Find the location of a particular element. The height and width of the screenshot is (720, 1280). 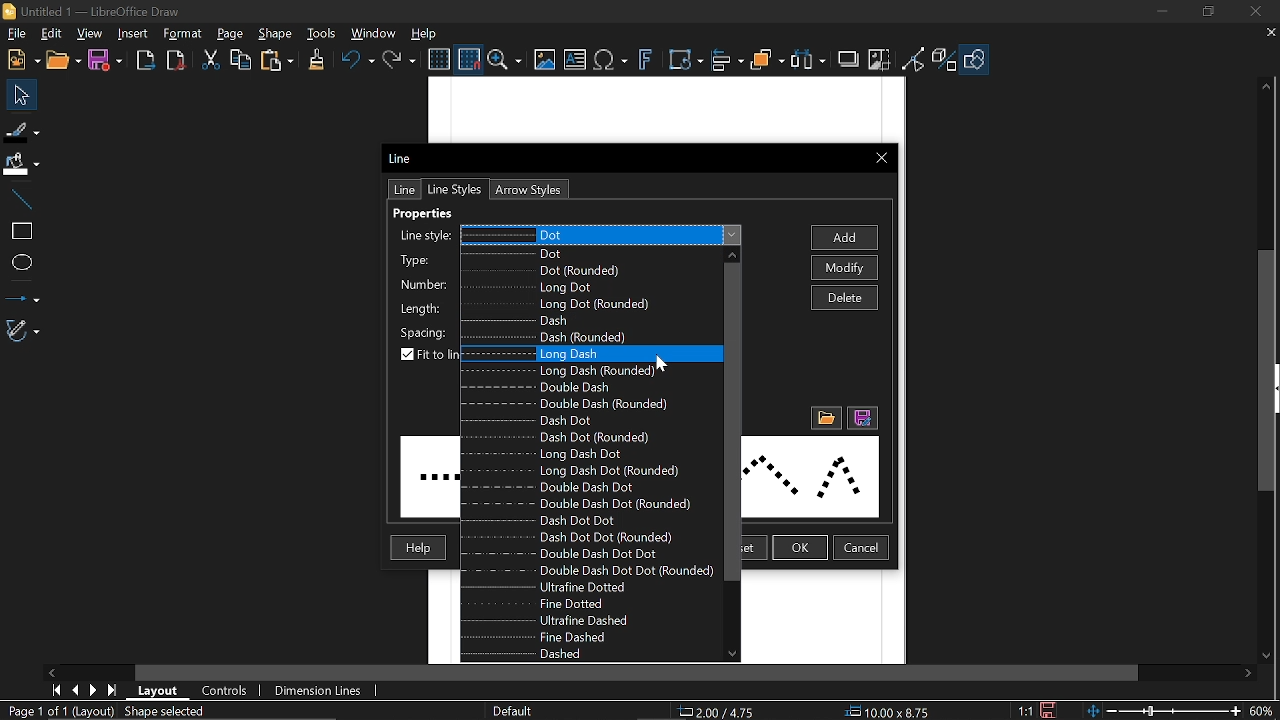

Position is located at coordinates (720, 712).